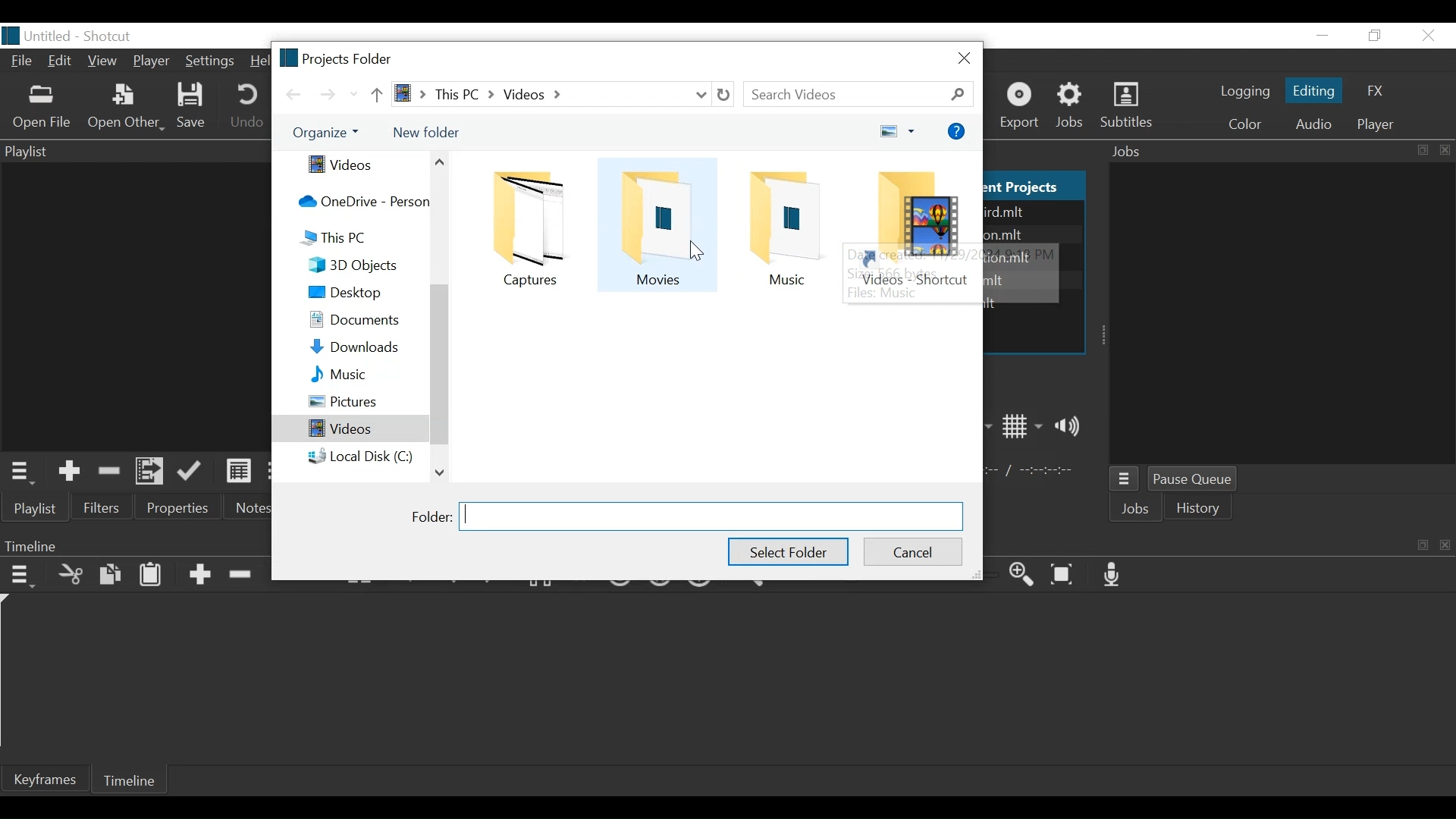  I want to click on Pictures, so click(362, 400).